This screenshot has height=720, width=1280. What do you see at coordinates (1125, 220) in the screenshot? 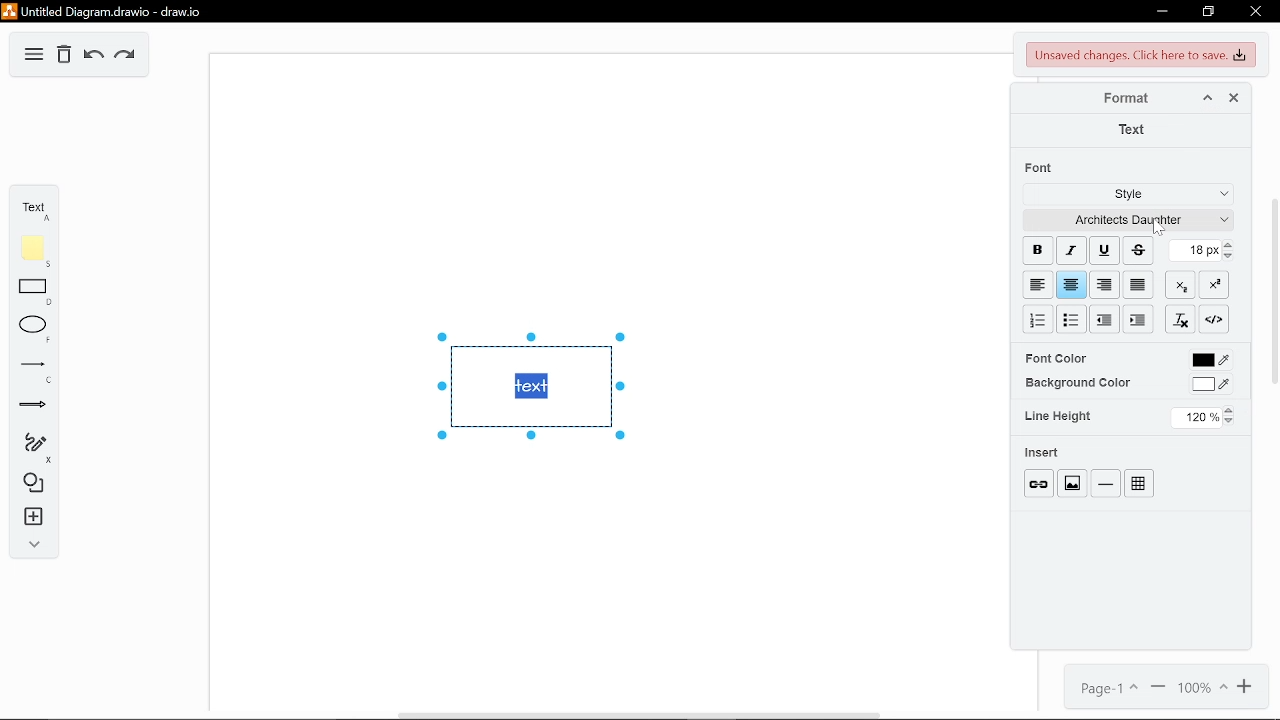
I see `font style` at bounding box center [1125, 220].